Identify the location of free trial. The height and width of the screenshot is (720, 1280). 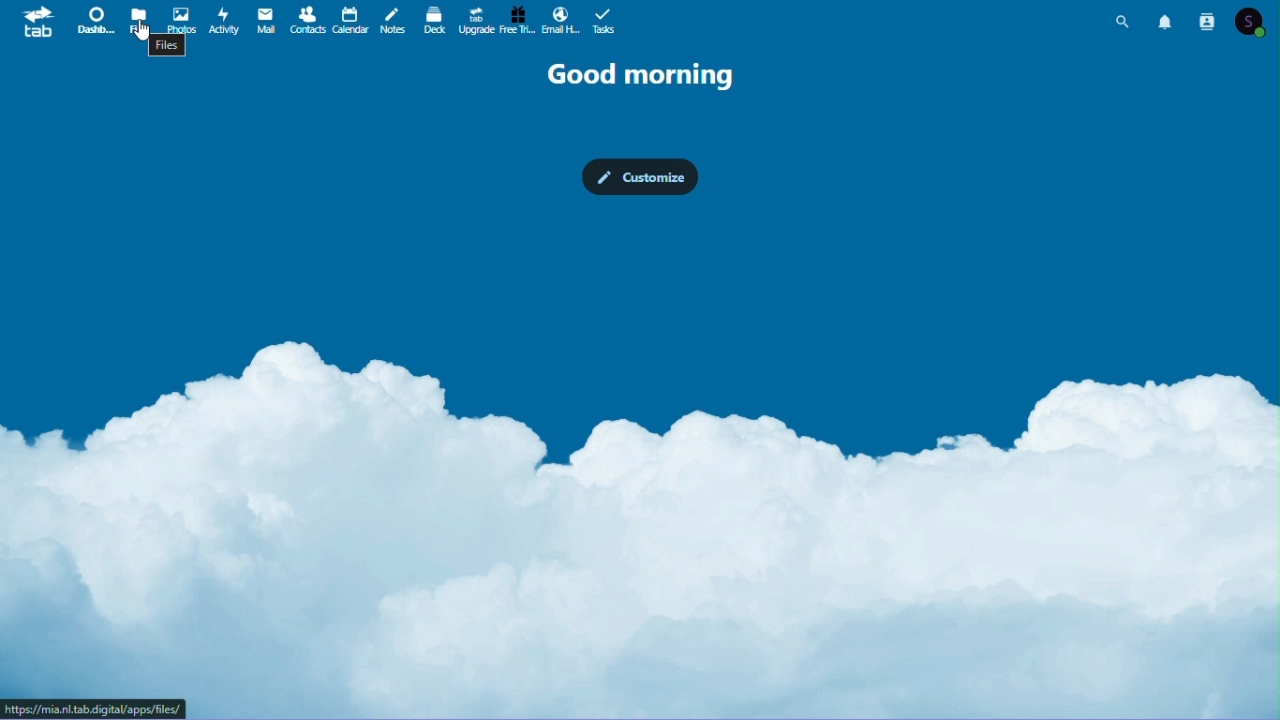
(517, 19).